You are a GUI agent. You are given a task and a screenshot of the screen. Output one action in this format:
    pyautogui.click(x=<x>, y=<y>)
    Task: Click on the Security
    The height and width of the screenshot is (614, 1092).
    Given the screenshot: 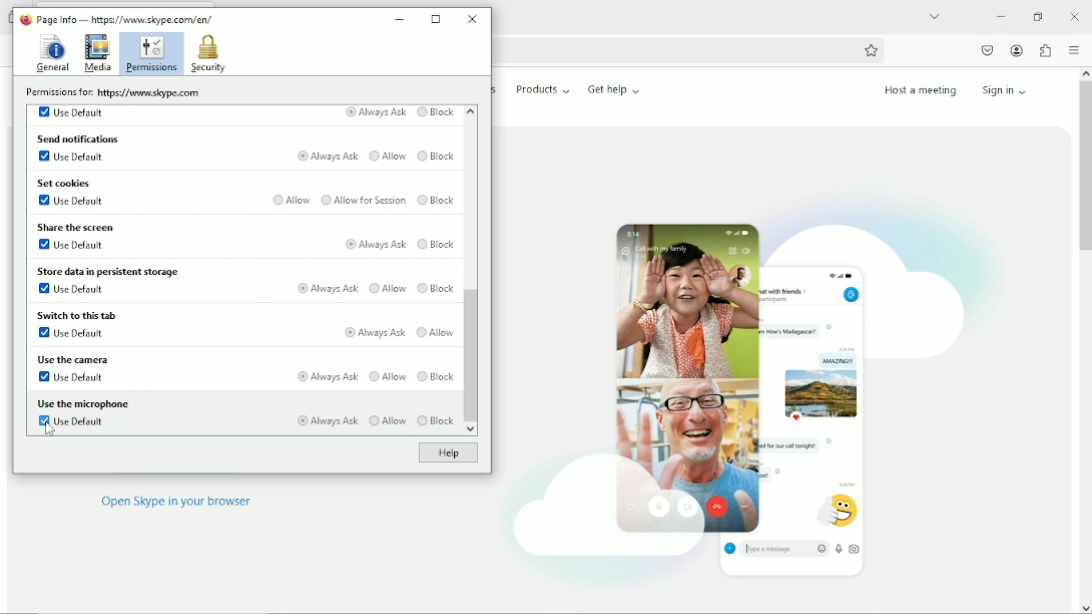 What is the action you would take?
    pyautogui.click(x=208, y=54)
    